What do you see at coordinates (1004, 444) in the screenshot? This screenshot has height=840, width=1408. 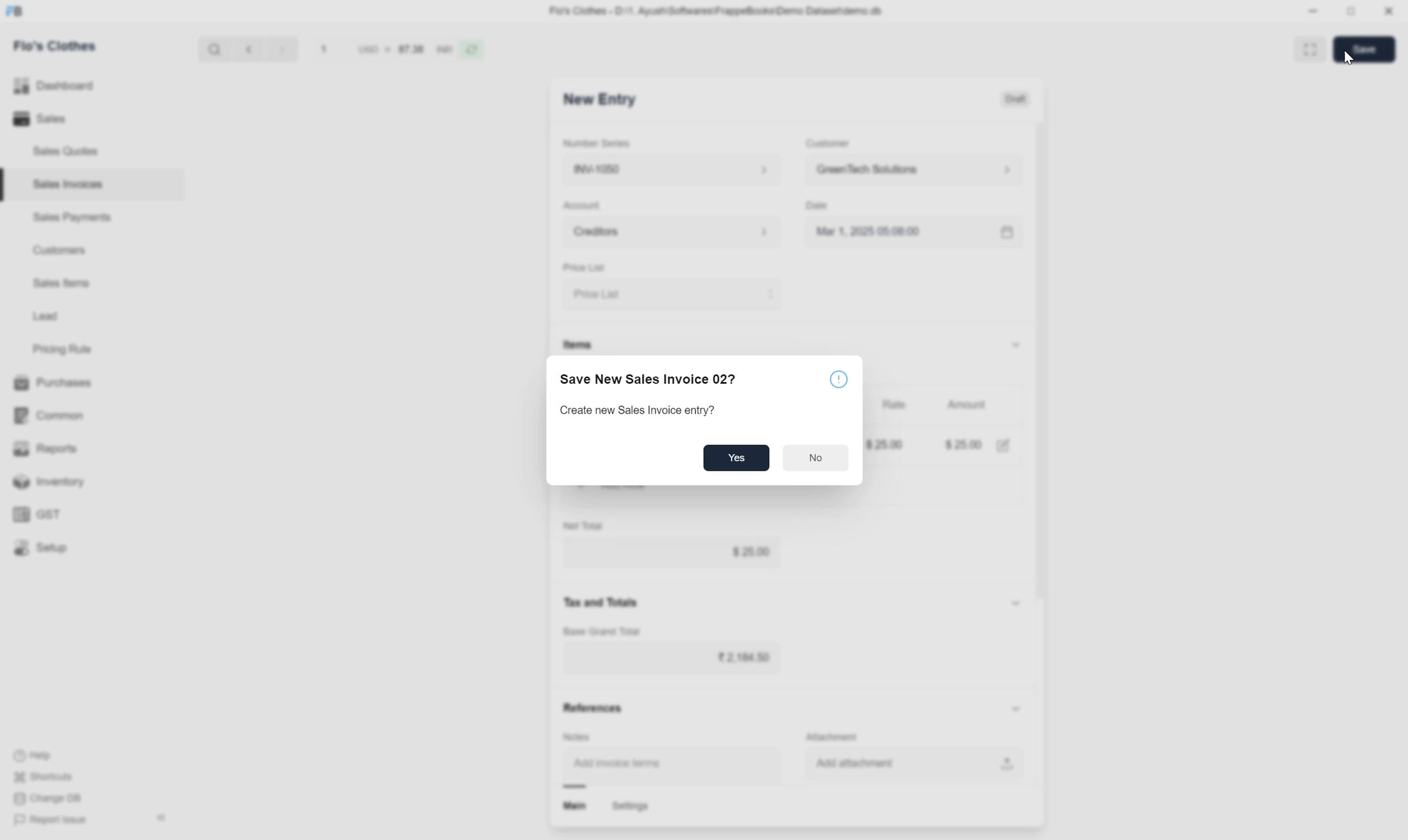 I see `edit amount ` at bounding box center [1004, 444].